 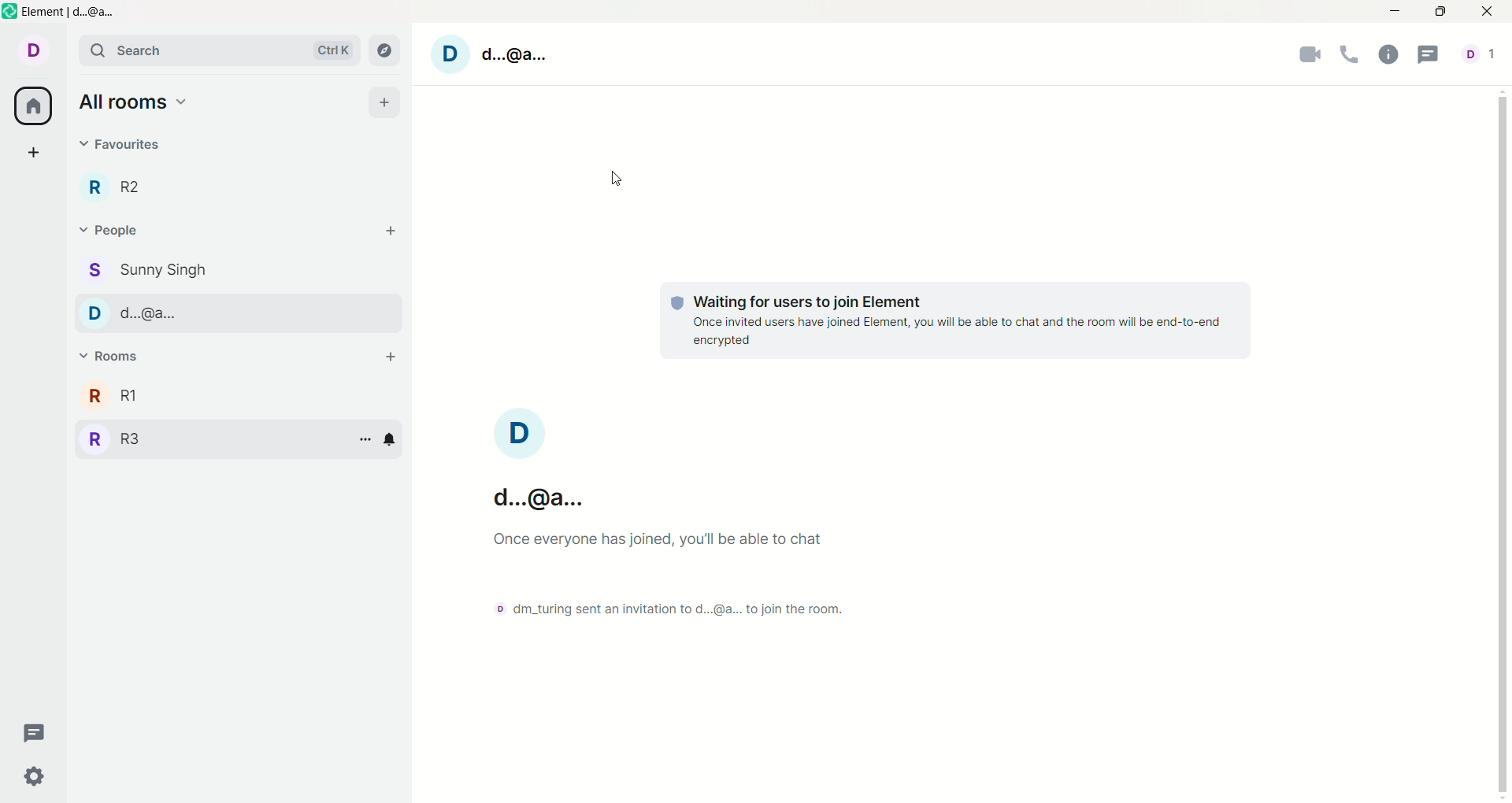 What do you see at coordinates (34, 732) in the screenshot?
I see `threads` at bounding box center [34, 732].